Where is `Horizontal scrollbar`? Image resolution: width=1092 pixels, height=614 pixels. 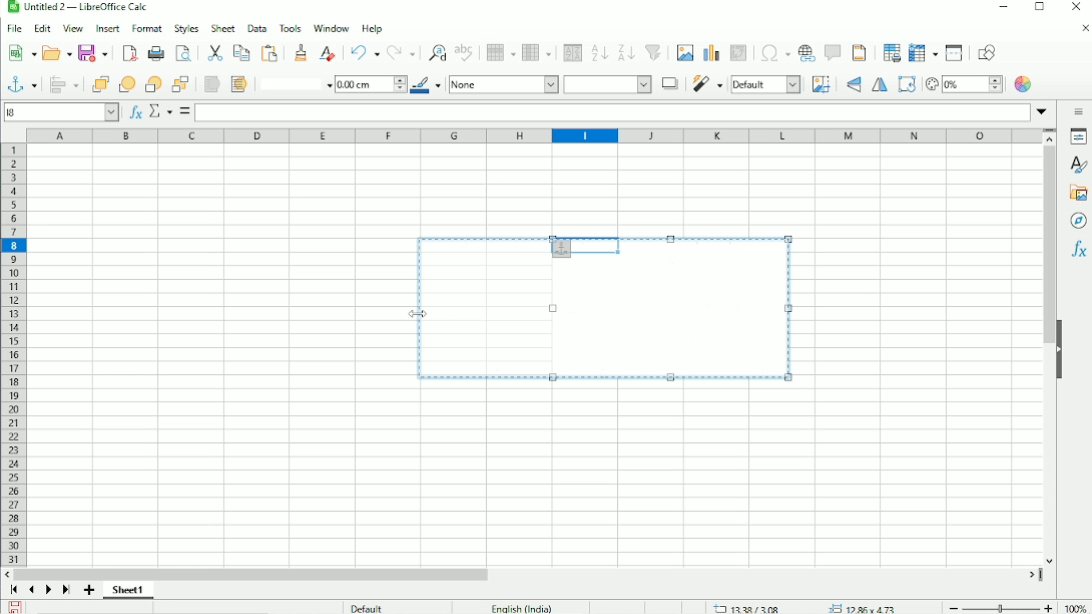 Horizontal scrollbar is located at coordinates (256, 573).